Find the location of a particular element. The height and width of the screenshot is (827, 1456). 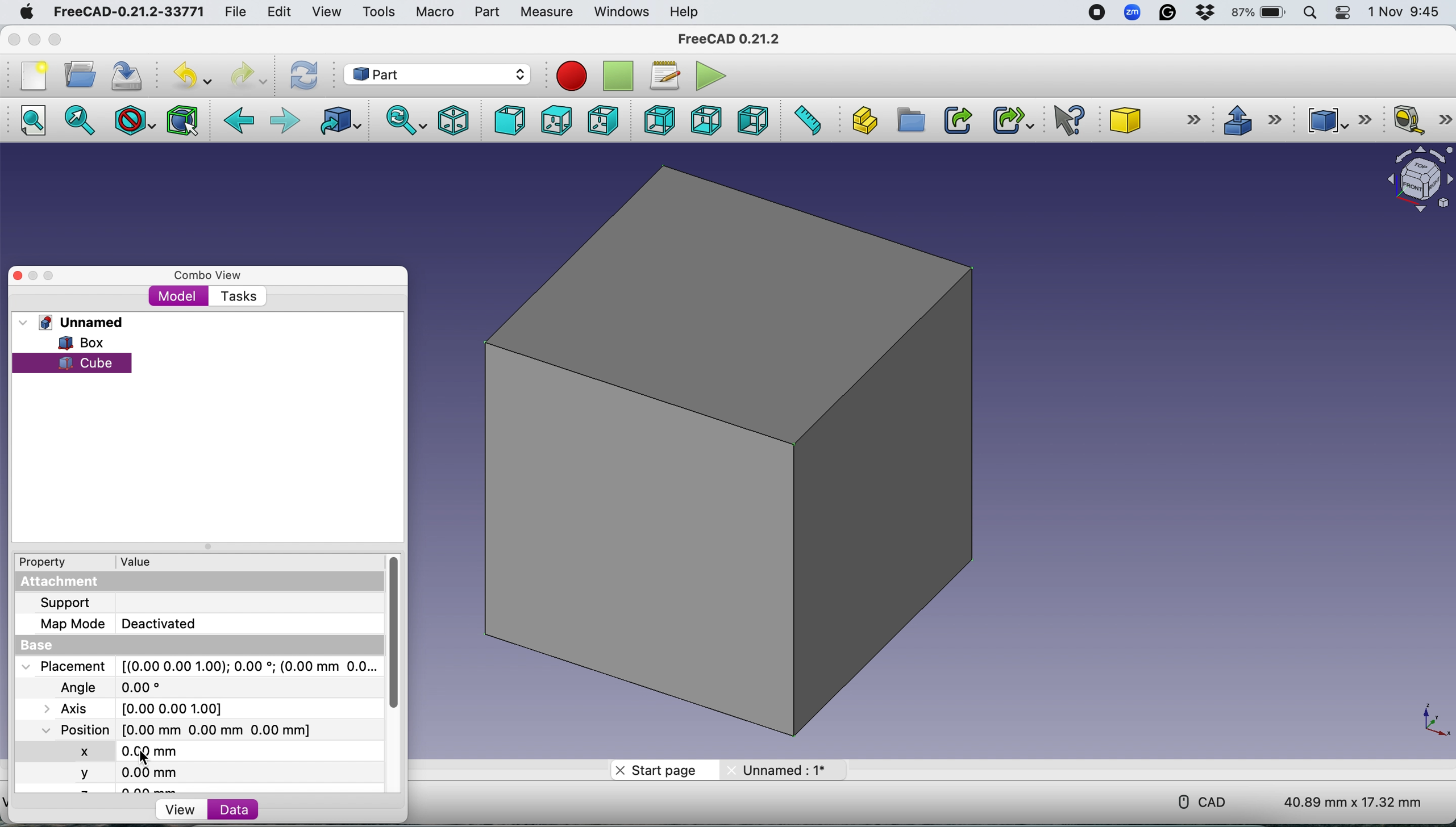

Macro is located at coordinates (435, 13).